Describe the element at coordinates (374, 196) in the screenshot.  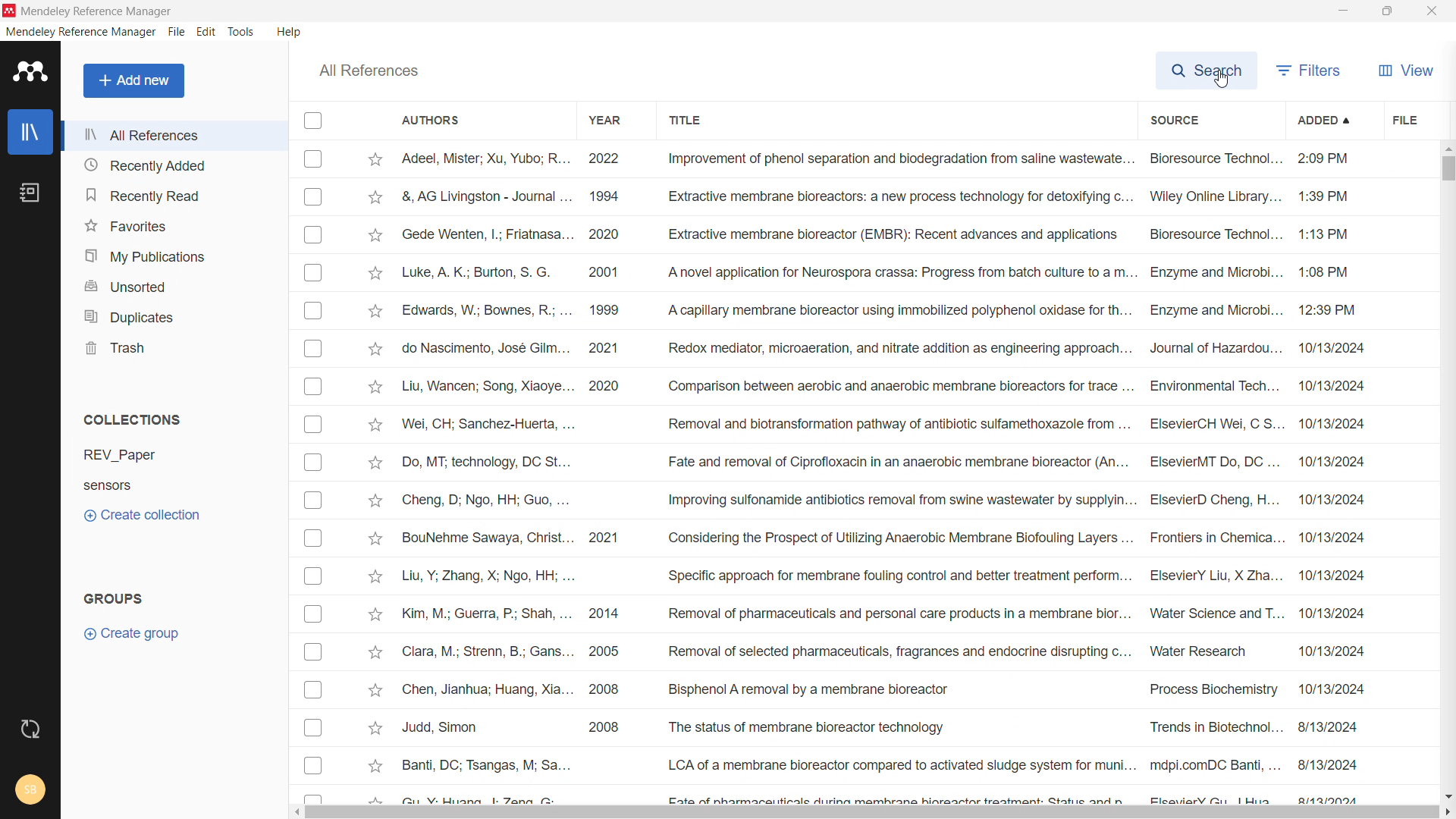
I see `Add to favorites` at that location.